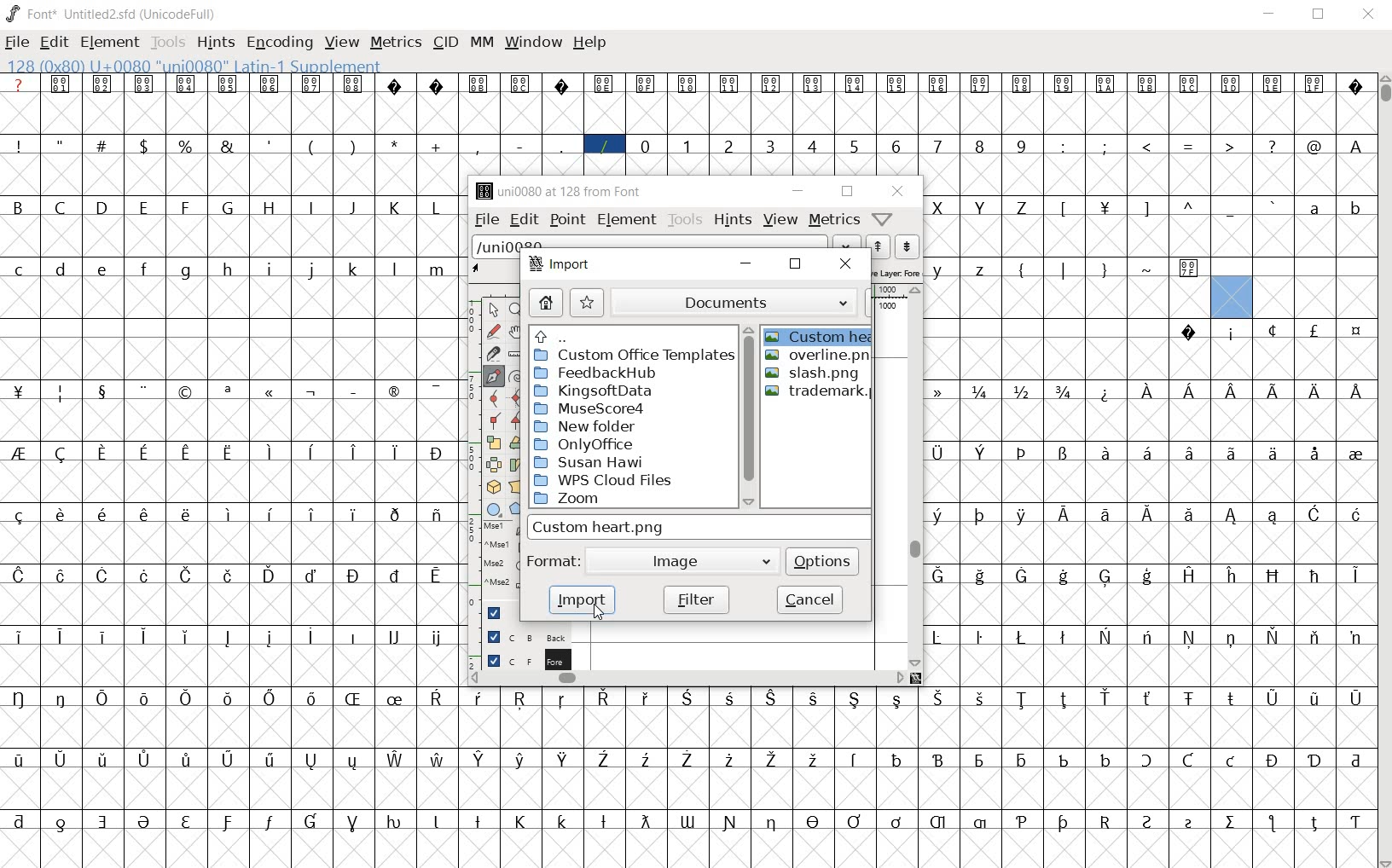  Describe the element at coordinates (769, 146) in the screenshot. I see `glyph` at that location.